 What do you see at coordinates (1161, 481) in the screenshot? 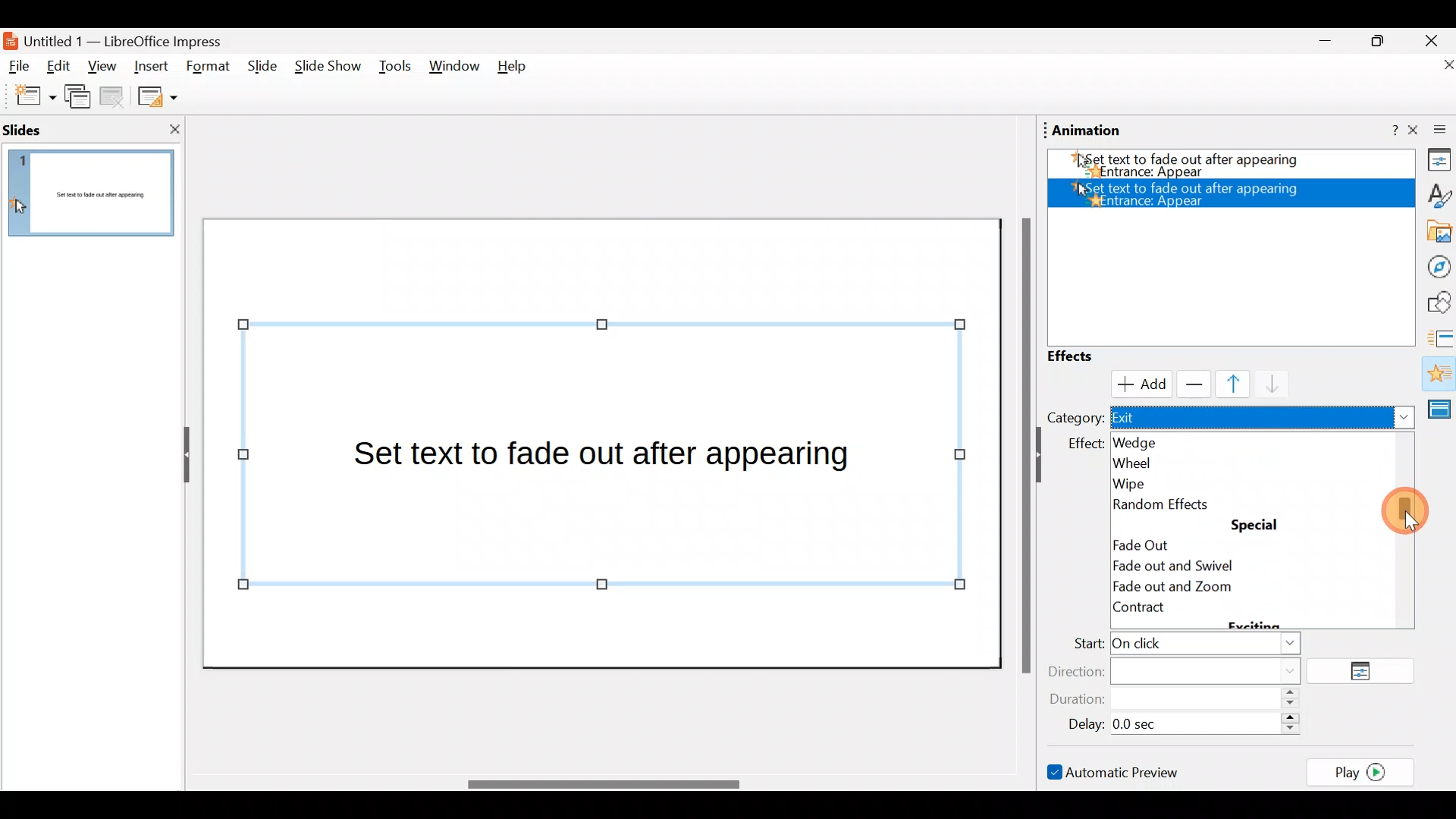
I see `Wipe` at bounding box center [1161, 481].